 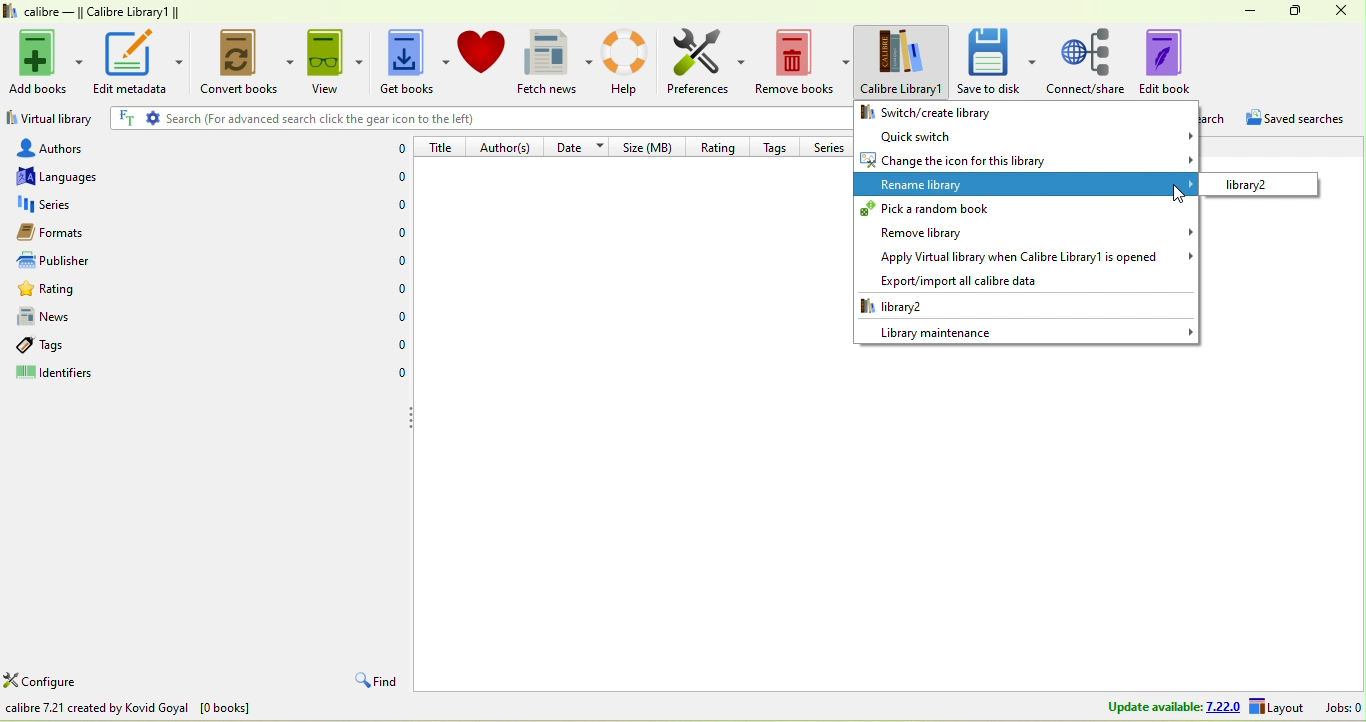 What do you see at coordinates (1290, 10) in the screenshot?
I see `maximize` at bounding box center [1290, 10].